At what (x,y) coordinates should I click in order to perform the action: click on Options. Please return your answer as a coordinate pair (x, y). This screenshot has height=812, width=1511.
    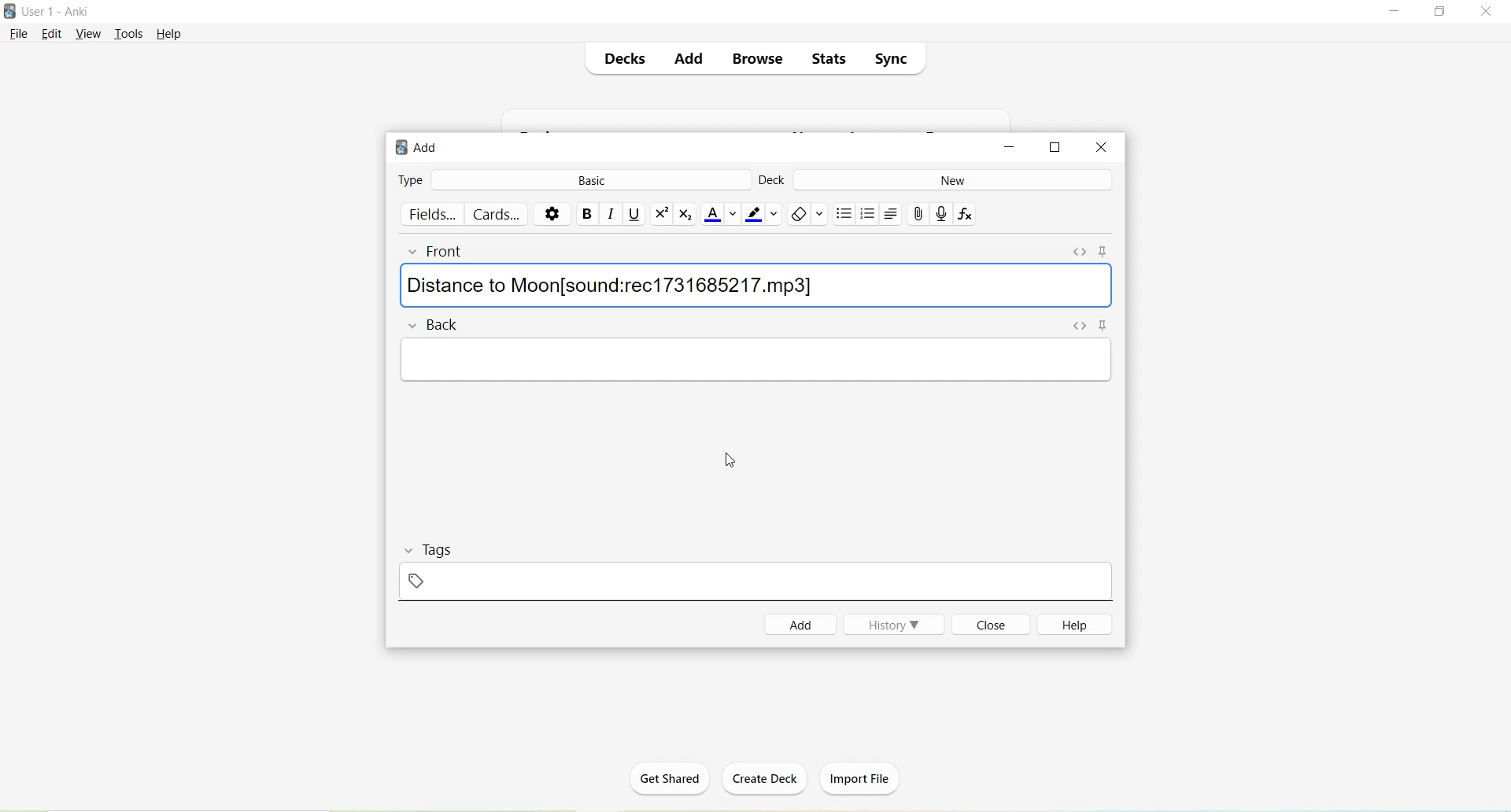
    Looking at the image, I should click on (551, 214).